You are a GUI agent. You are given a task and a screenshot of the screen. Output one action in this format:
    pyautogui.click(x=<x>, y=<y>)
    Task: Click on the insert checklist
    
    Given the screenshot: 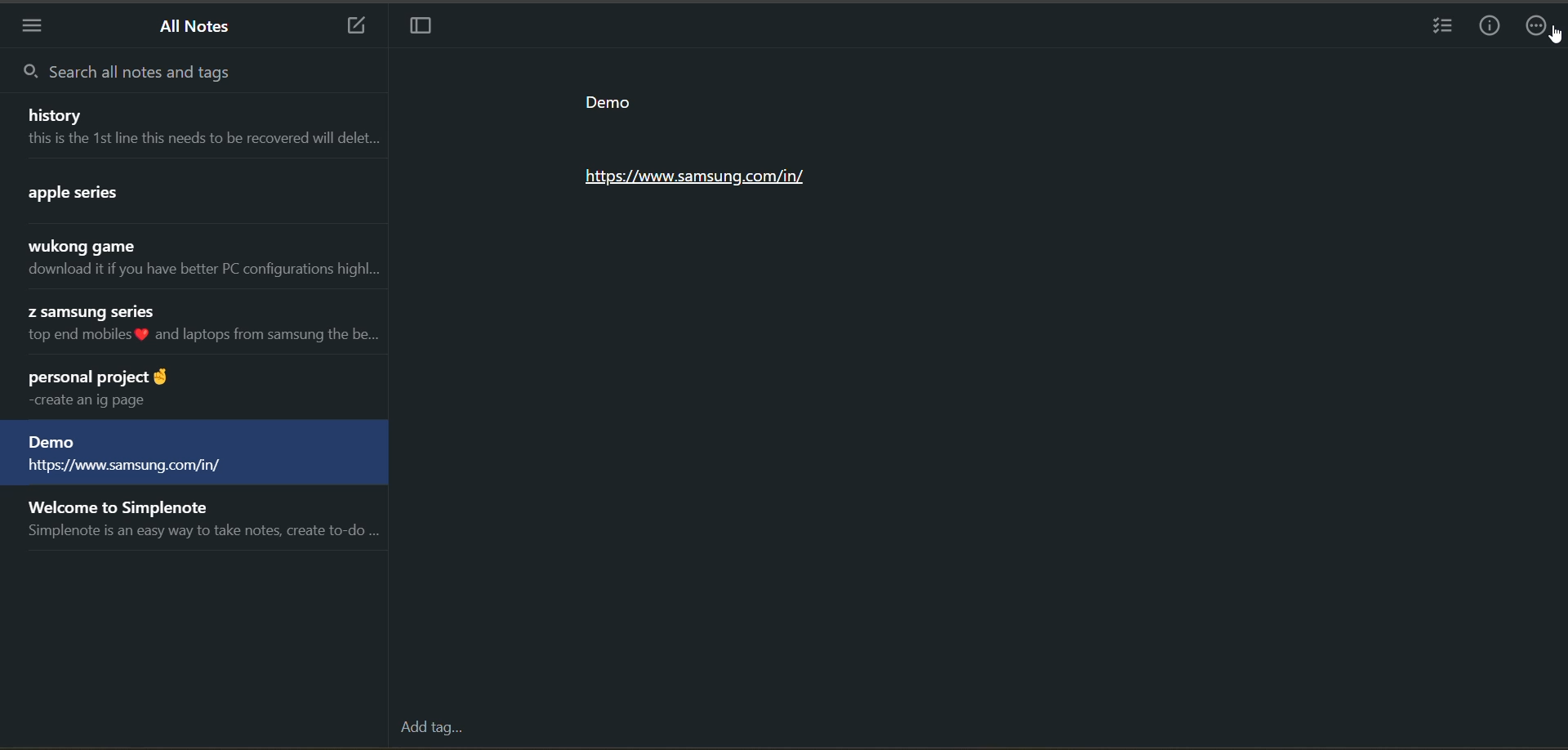 What is the action you would take?
    pyautogui.click(x=1445, y=28)
    